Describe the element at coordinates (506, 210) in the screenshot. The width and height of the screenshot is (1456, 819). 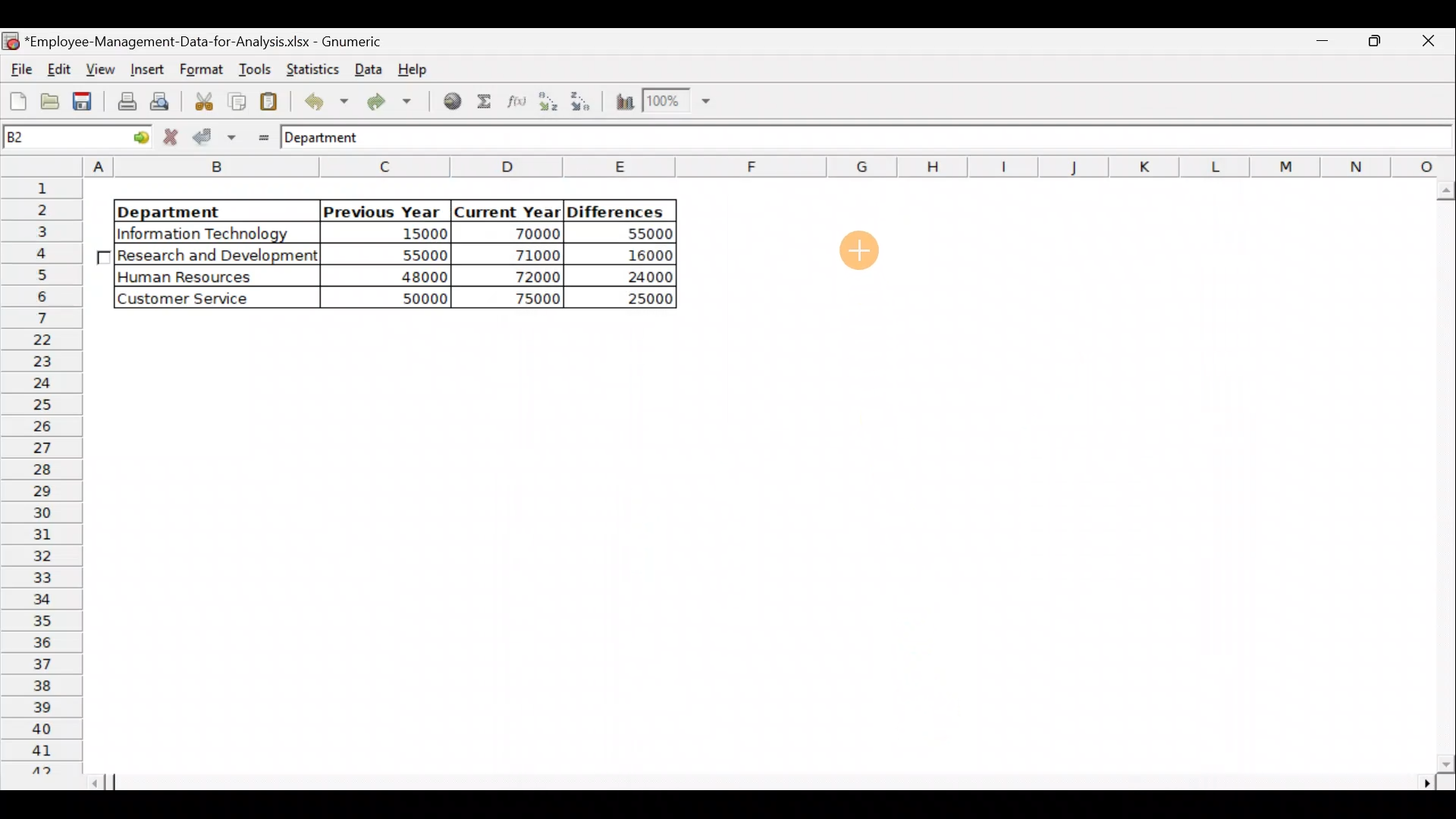
I see `Current Year` at that location.